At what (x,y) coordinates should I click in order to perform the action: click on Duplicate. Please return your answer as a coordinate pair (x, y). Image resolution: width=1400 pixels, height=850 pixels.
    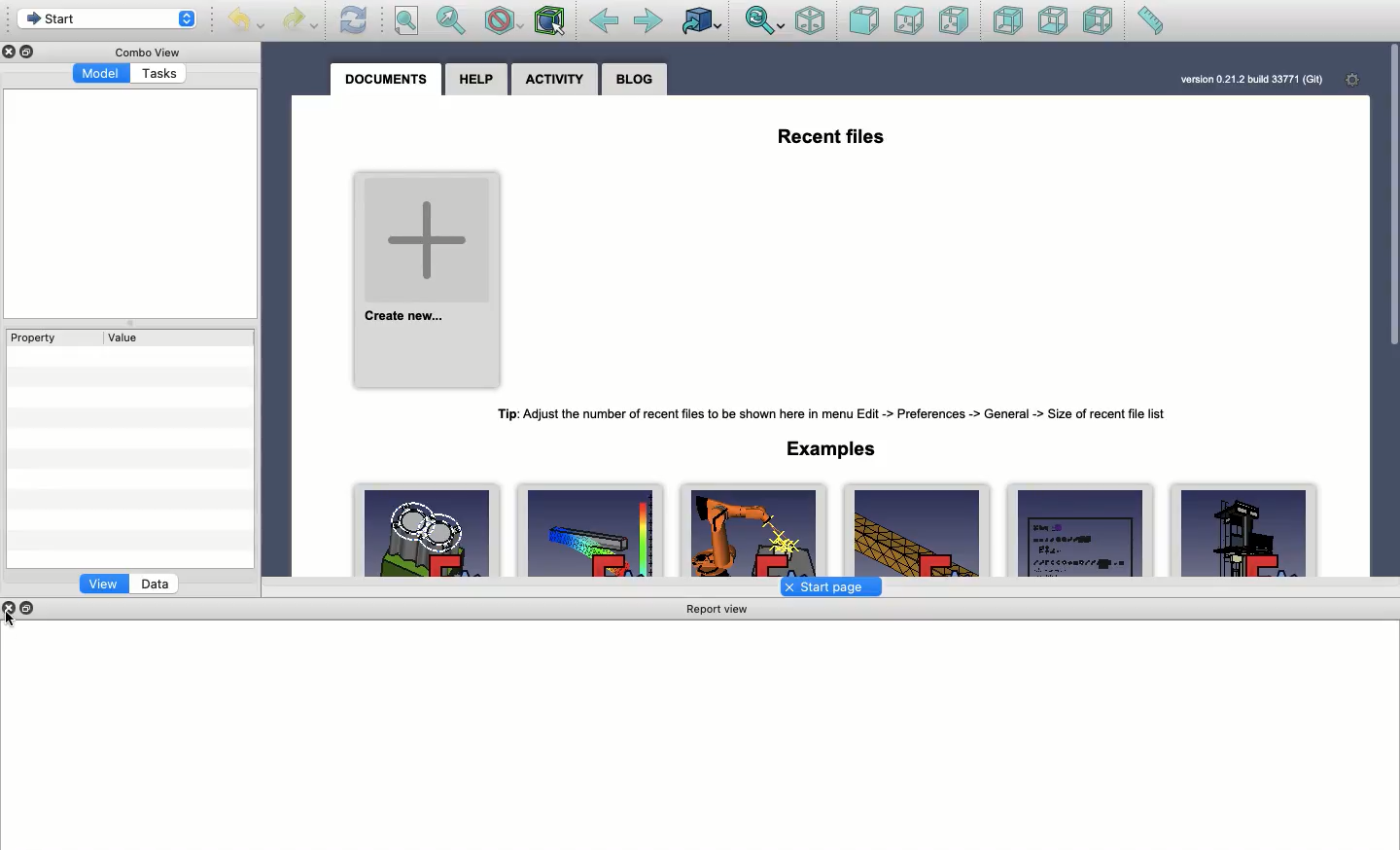
    Looking at the image, I should click on (30, 51).